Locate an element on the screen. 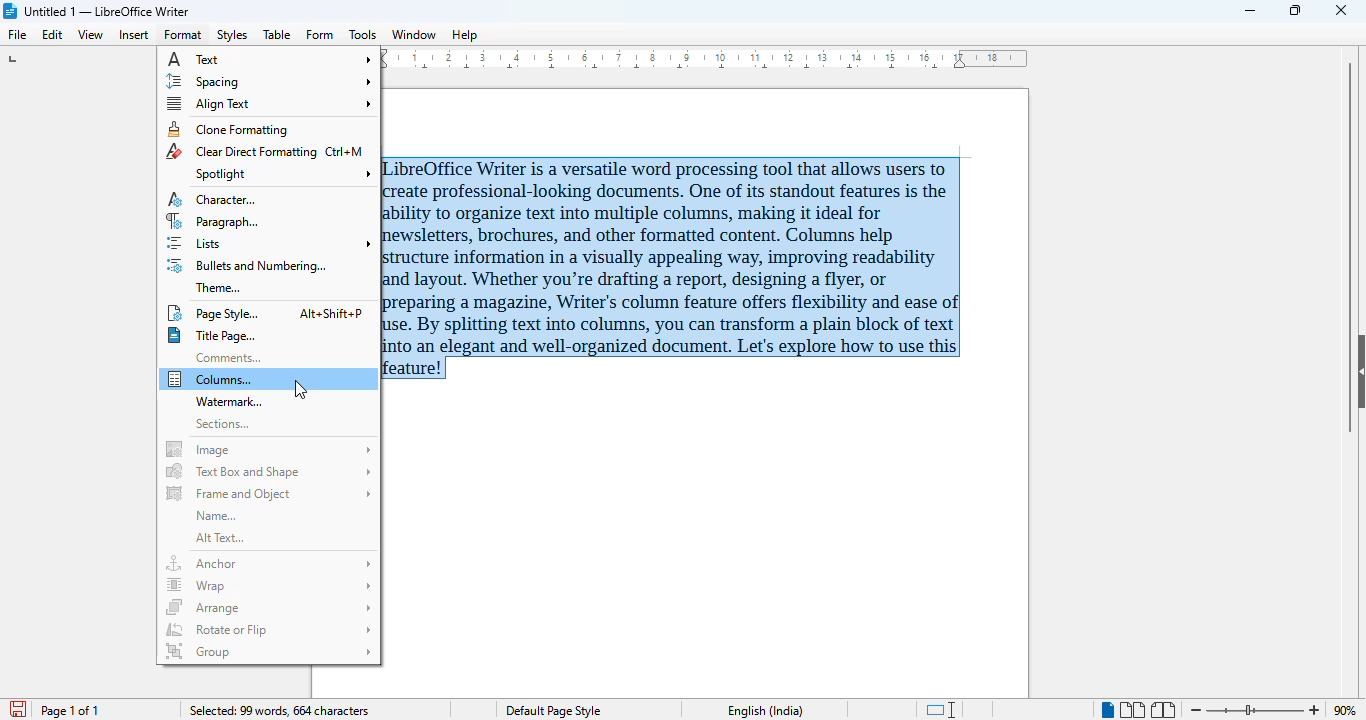  theme is located at coordinates (219, 287).